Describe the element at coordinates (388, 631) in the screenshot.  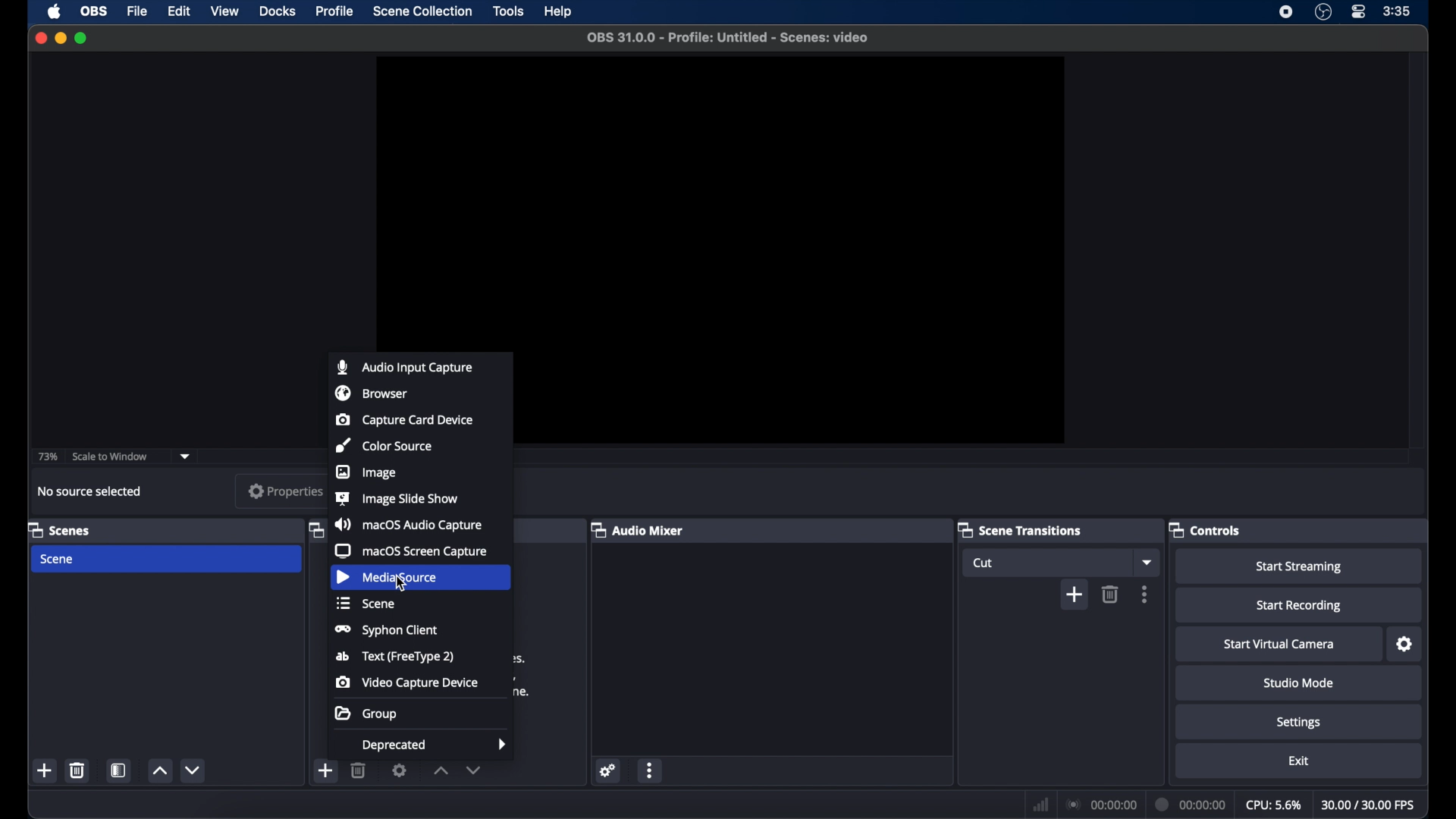
I see `syphon client` at that location.